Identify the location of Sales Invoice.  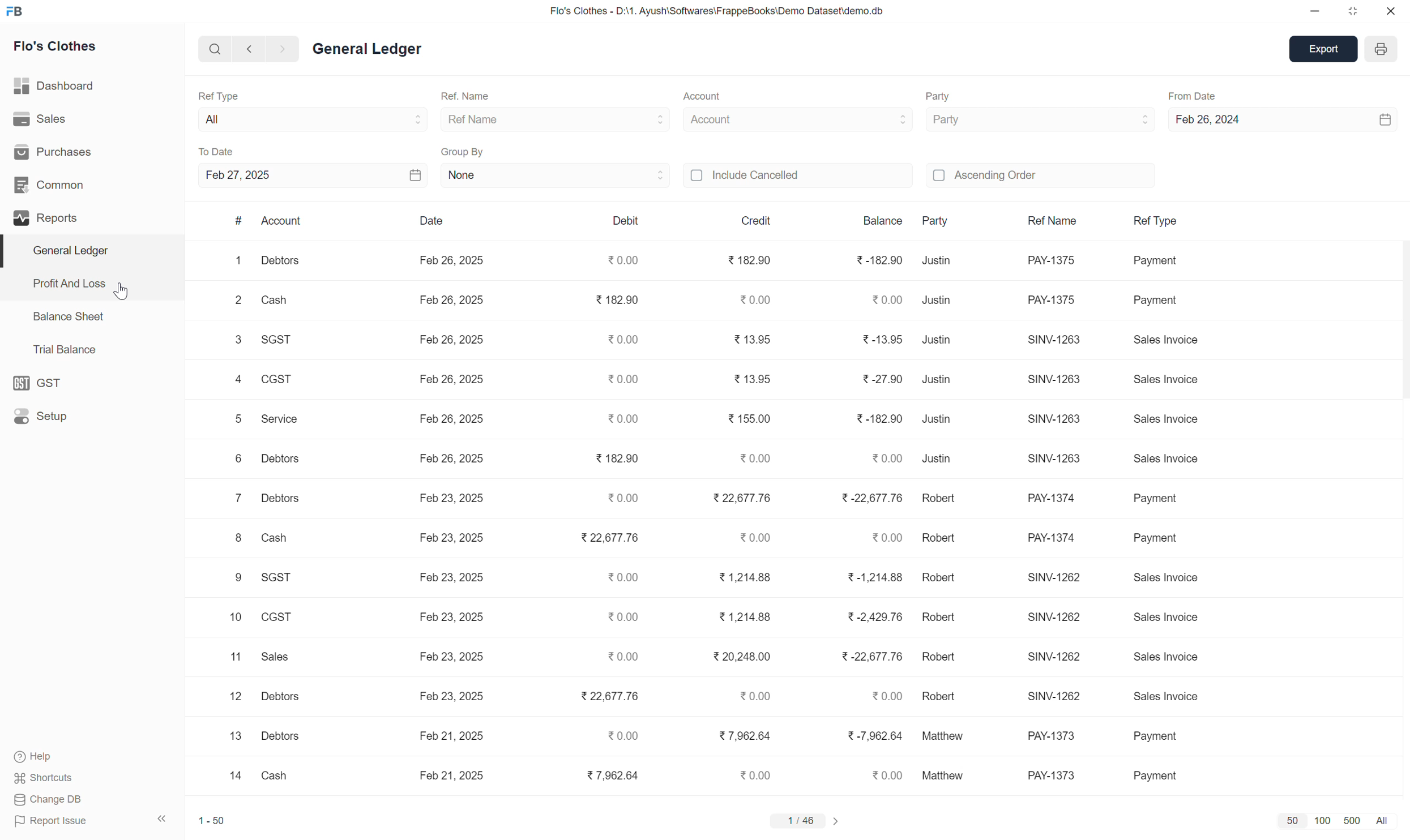
(1176, 421).